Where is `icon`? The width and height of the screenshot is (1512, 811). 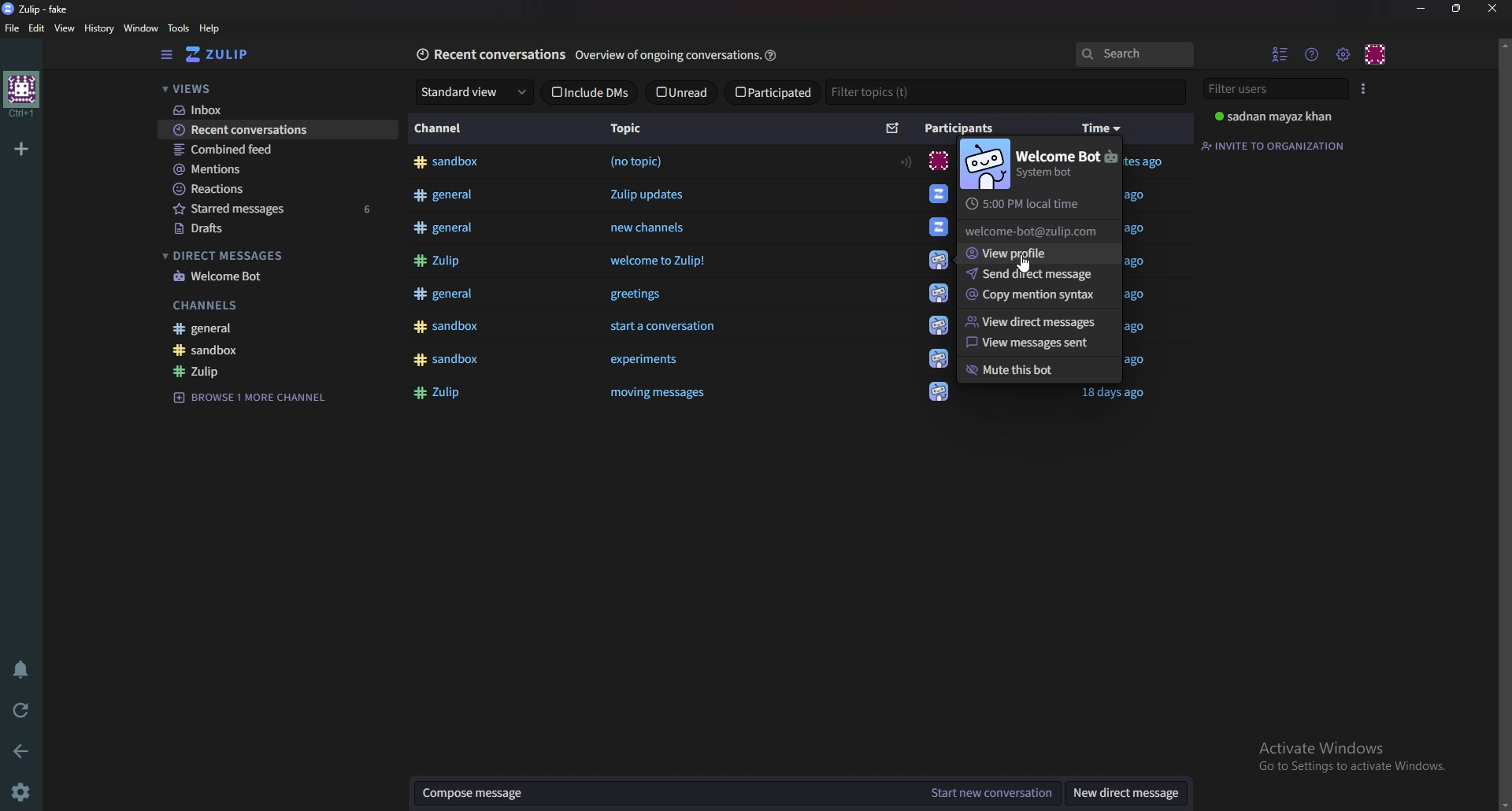
icon is located at coordinates (937, 161).